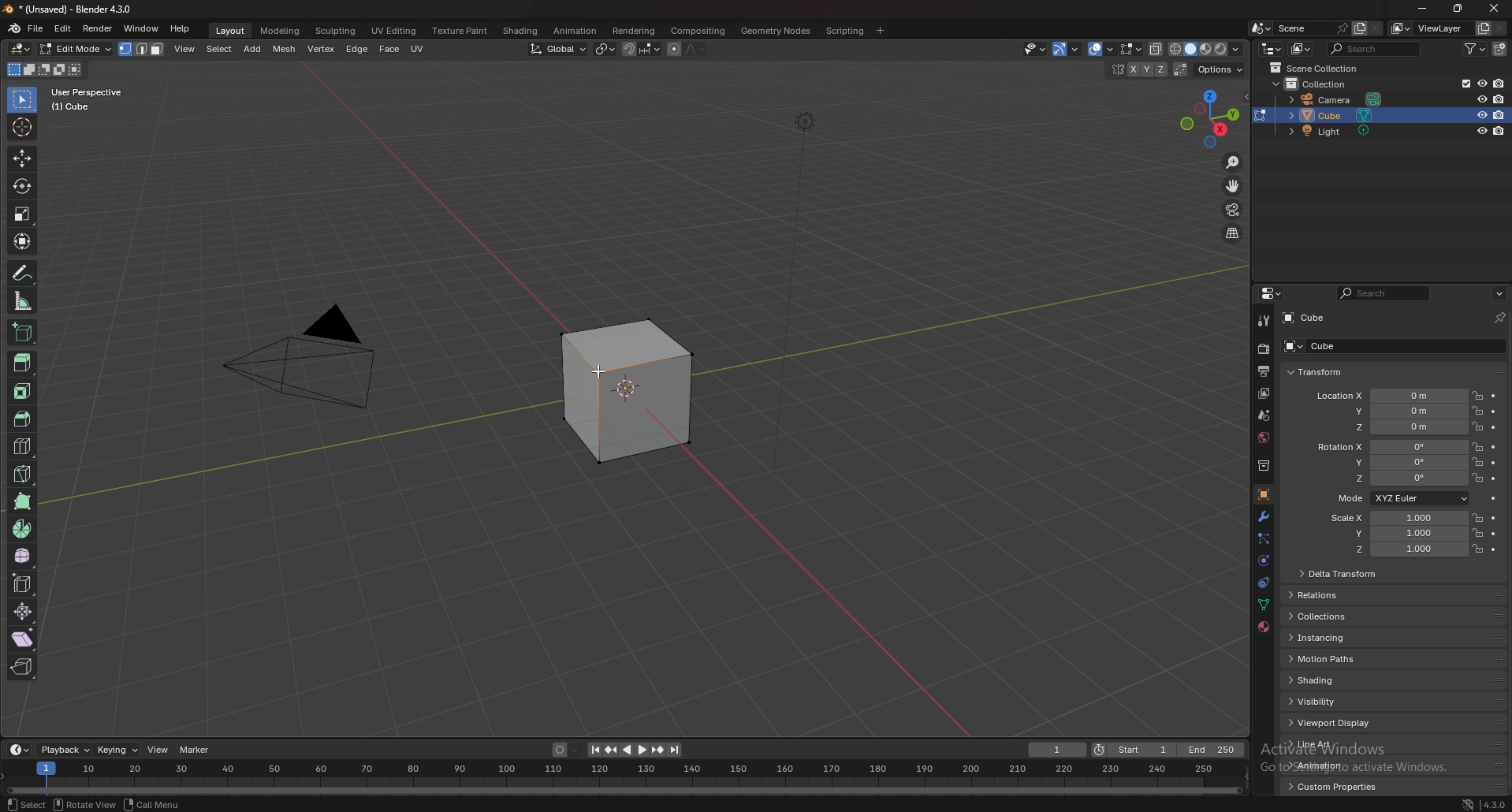 This screenshot has width=1512, height=812. Describe the element at coordinates (1501, 49) in the screenshot. I see `new collection` at that location.